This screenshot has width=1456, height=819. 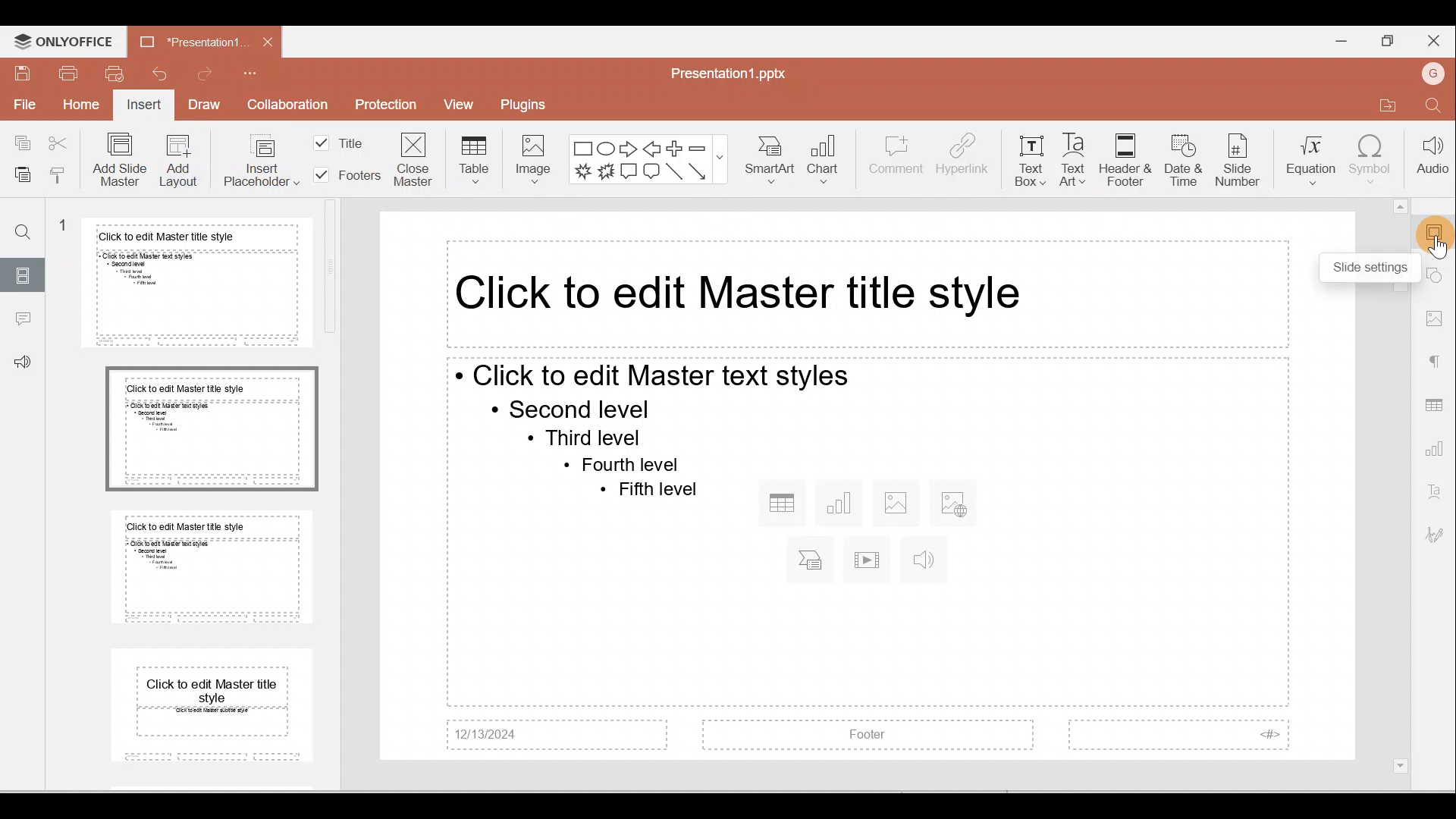 What do you see at coordinates (963, 158) in the screenshot?
I see `Hyperlink` at bounding box center [963, 158].